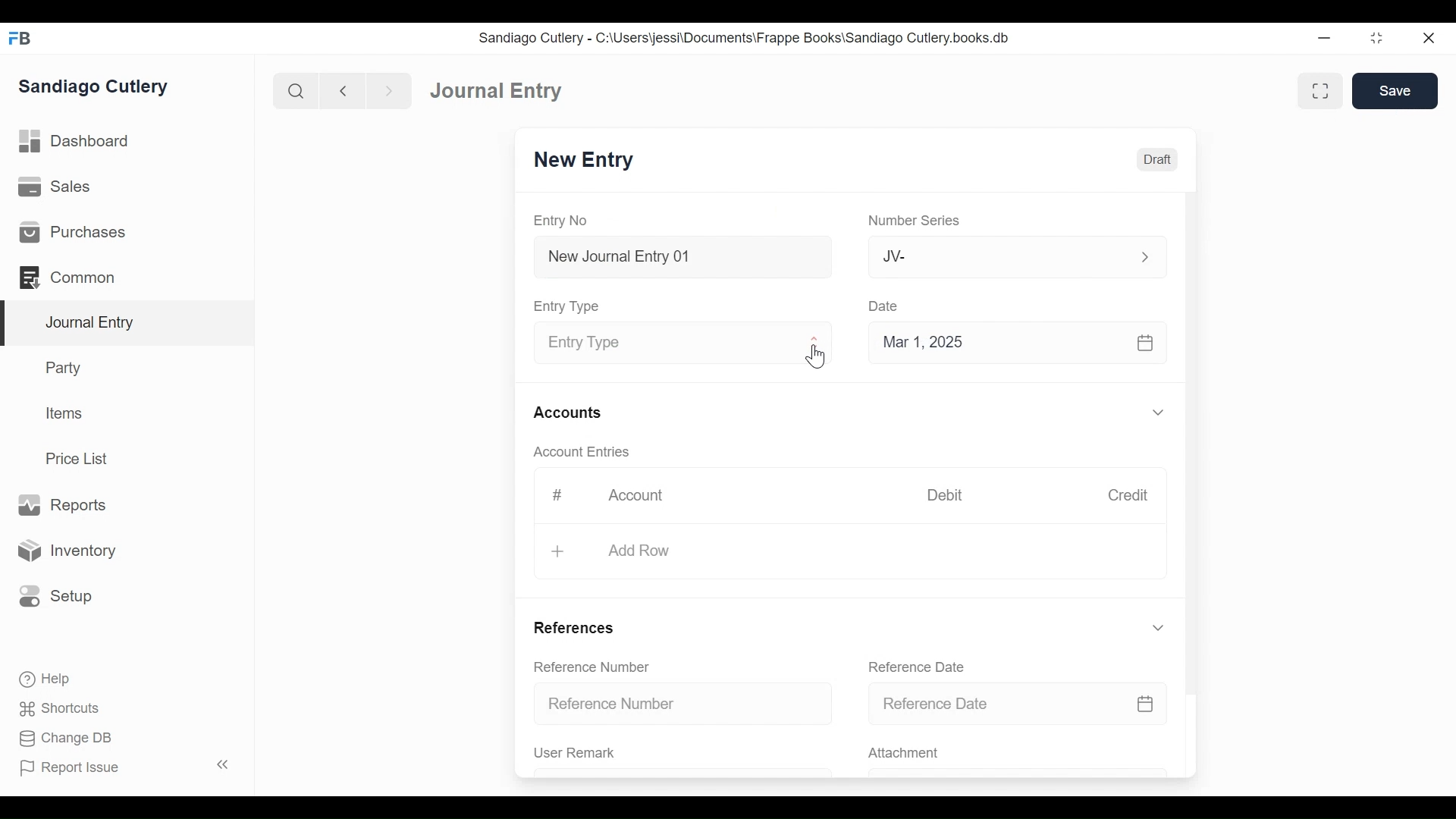 The height and width of the screenshot is (819, 1456). I want to click on toggle between form and full width, so click(1323, 92).